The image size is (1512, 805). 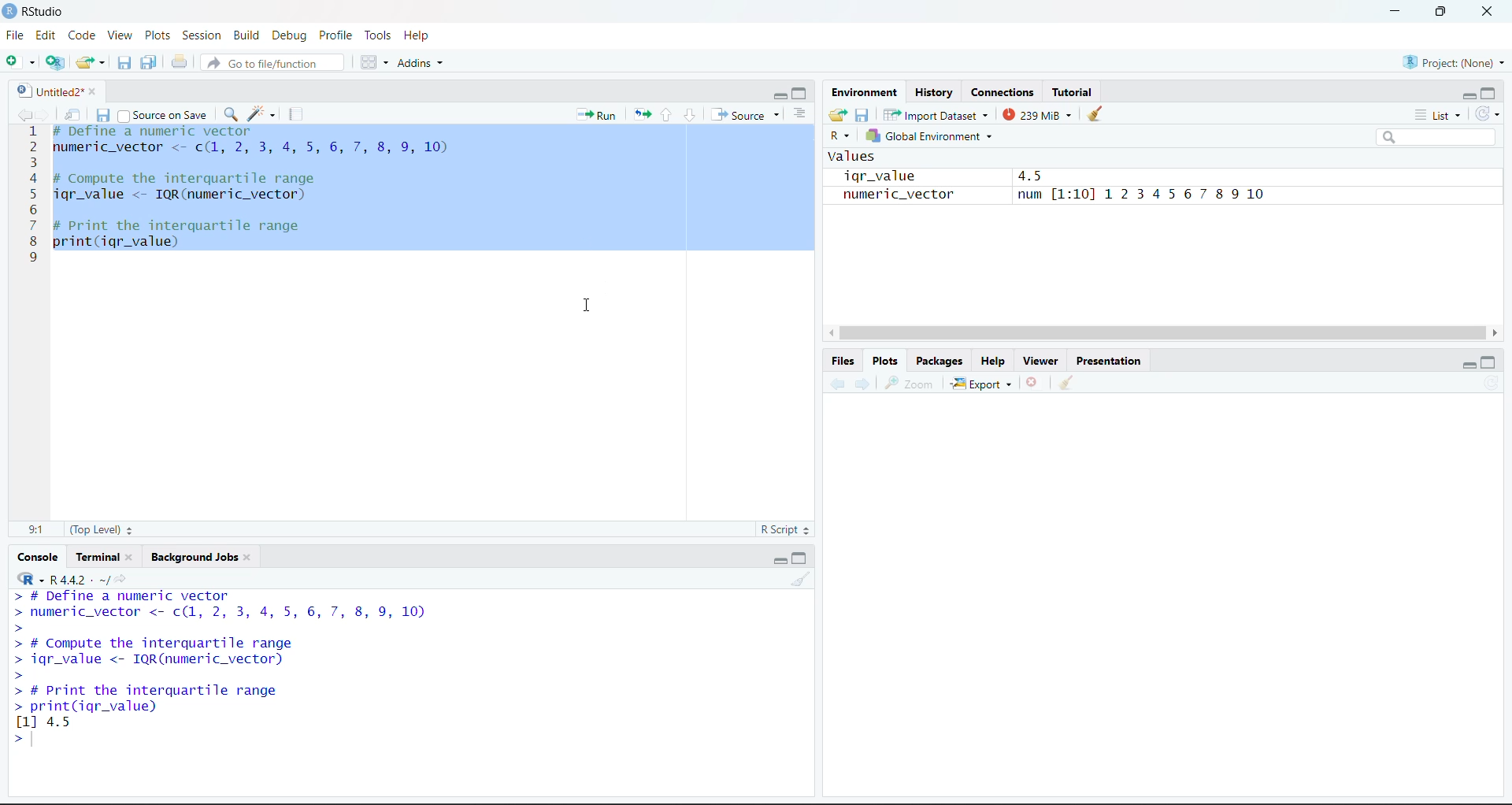 What do you see at coordinates (861, 384) in the screenshot?
I see `Go forward to the next source location (Ctrl + F10)` at bounding box center [861, 384].